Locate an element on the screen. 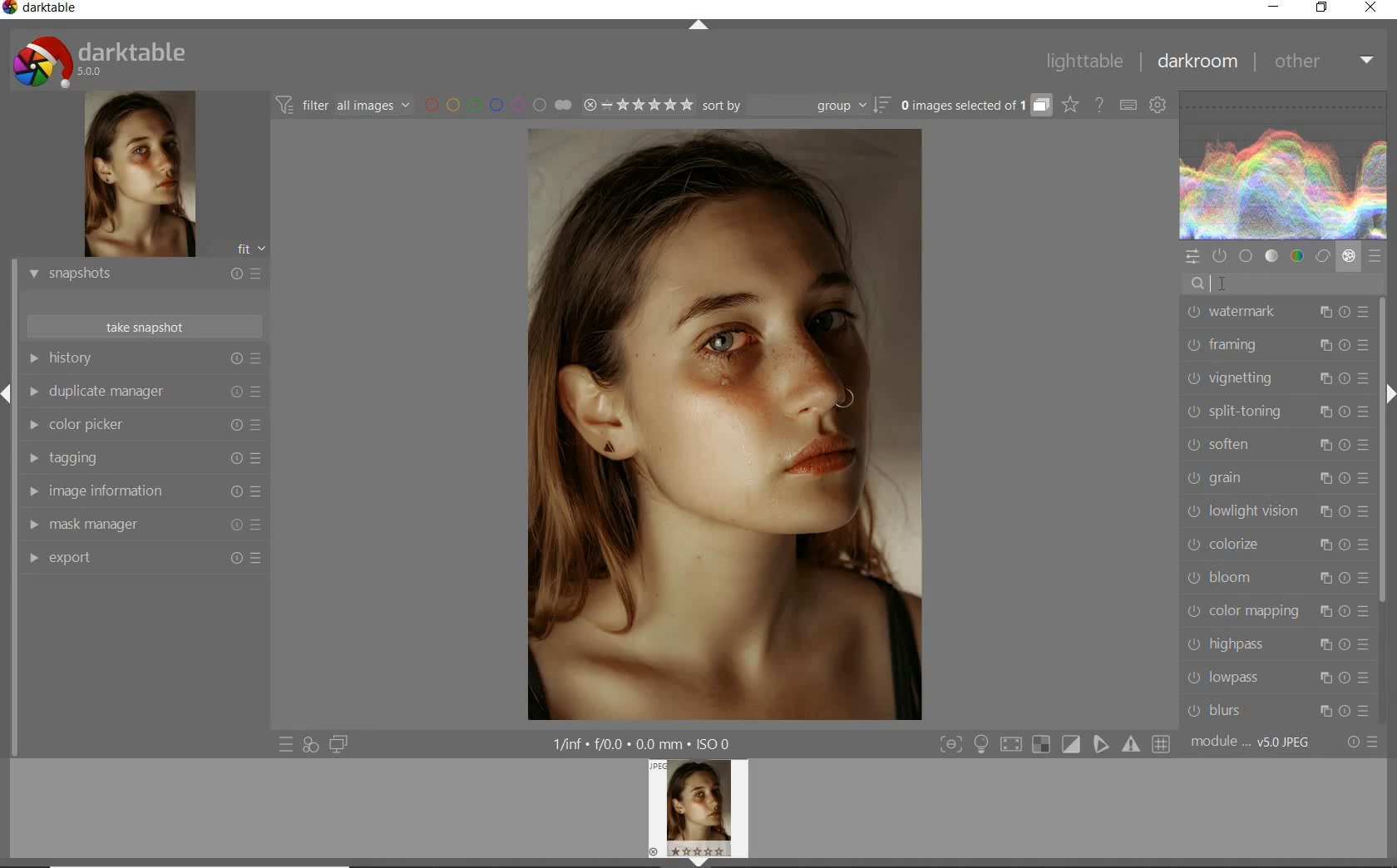 The image size is (1397, 868). take snapshots is located at coordinates (146, 327).